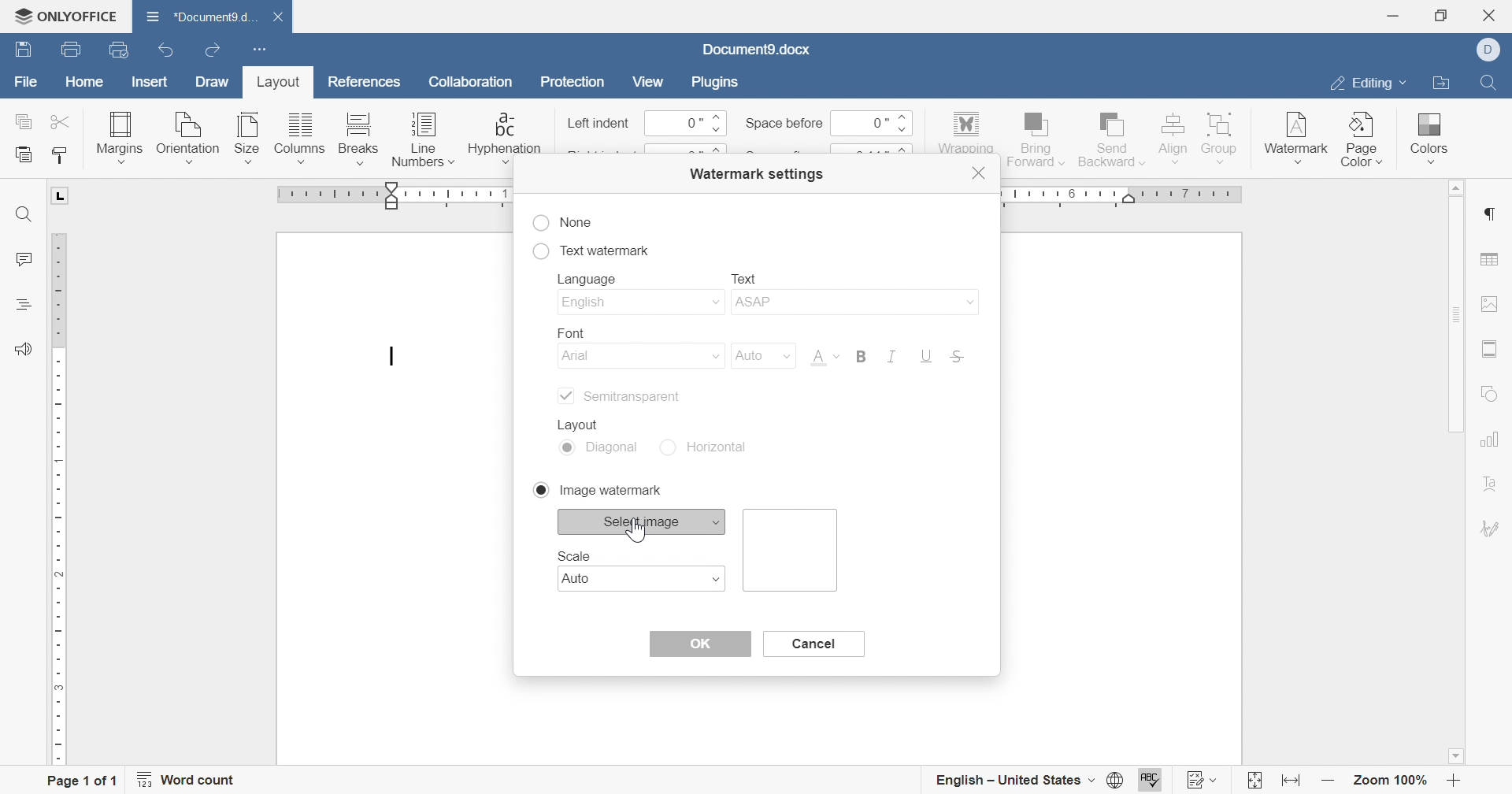  Describe the element at coordinates (1392, 783) in the screenshot. I see `zoom 100%` at that location.